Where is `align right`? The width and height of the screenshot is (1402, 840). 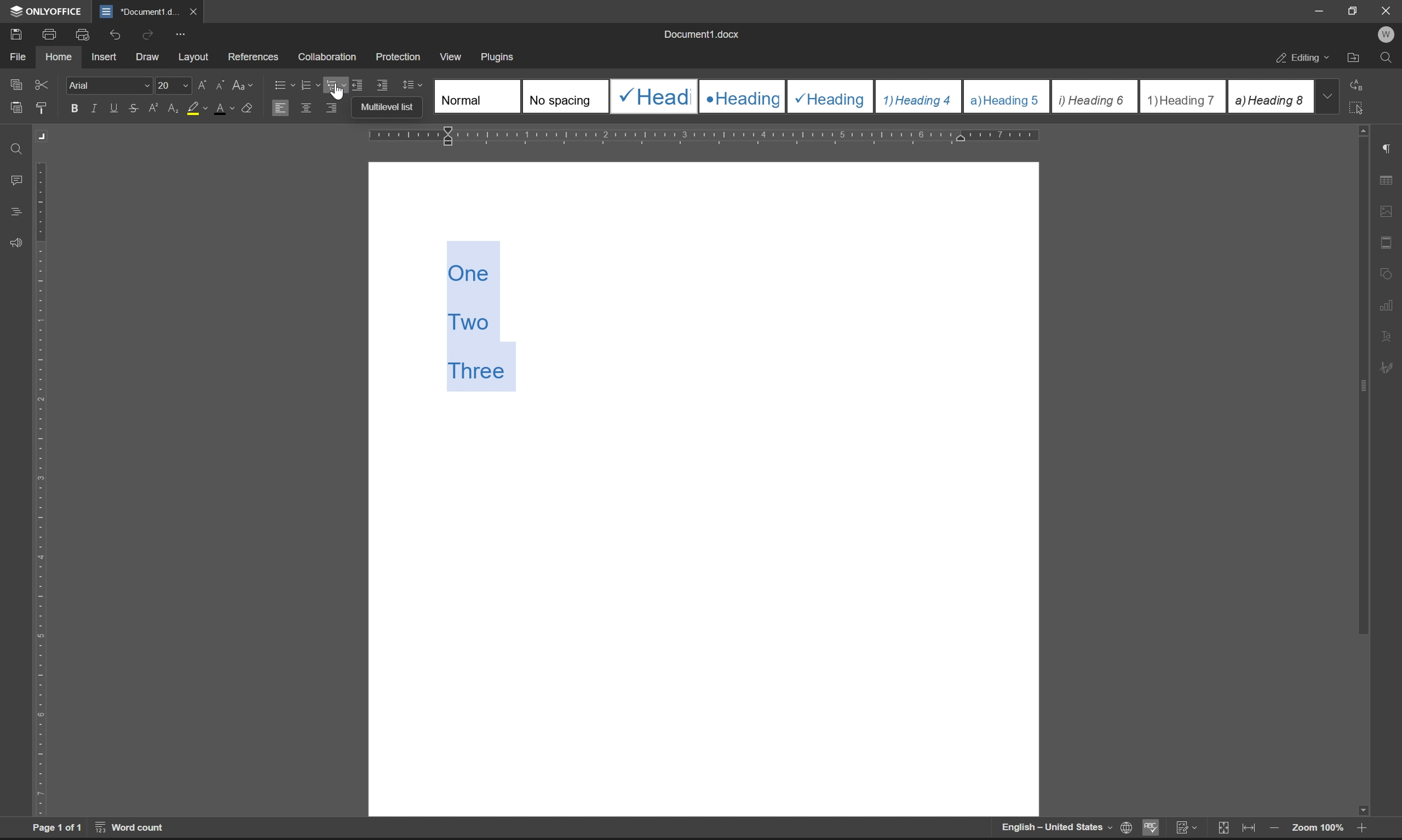 align right is located at coordinates (333, 107).